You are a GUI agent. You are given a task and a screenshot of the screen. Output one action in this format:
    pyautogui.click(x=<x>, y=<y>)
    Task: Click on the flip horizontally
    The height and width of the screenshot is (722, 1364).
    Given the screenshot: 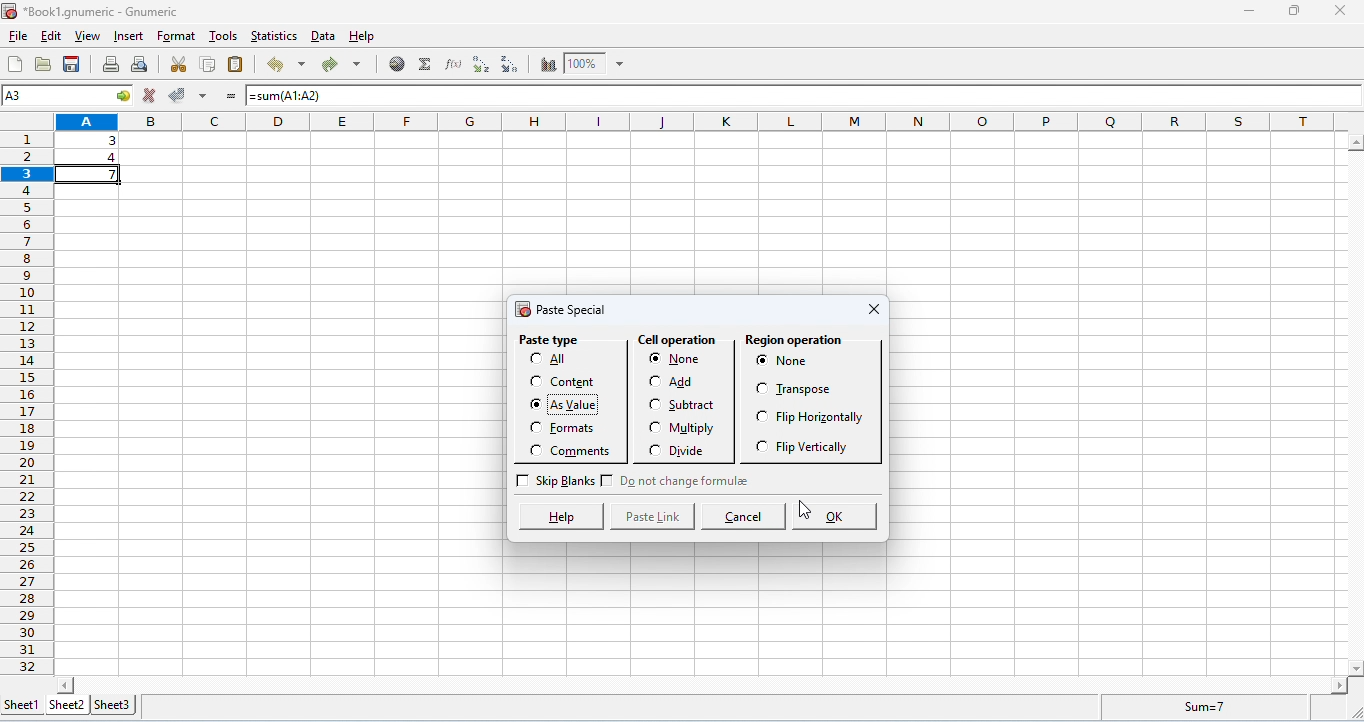 What is the action you would take?
    pyautogui.click(x=829, y=420)
    